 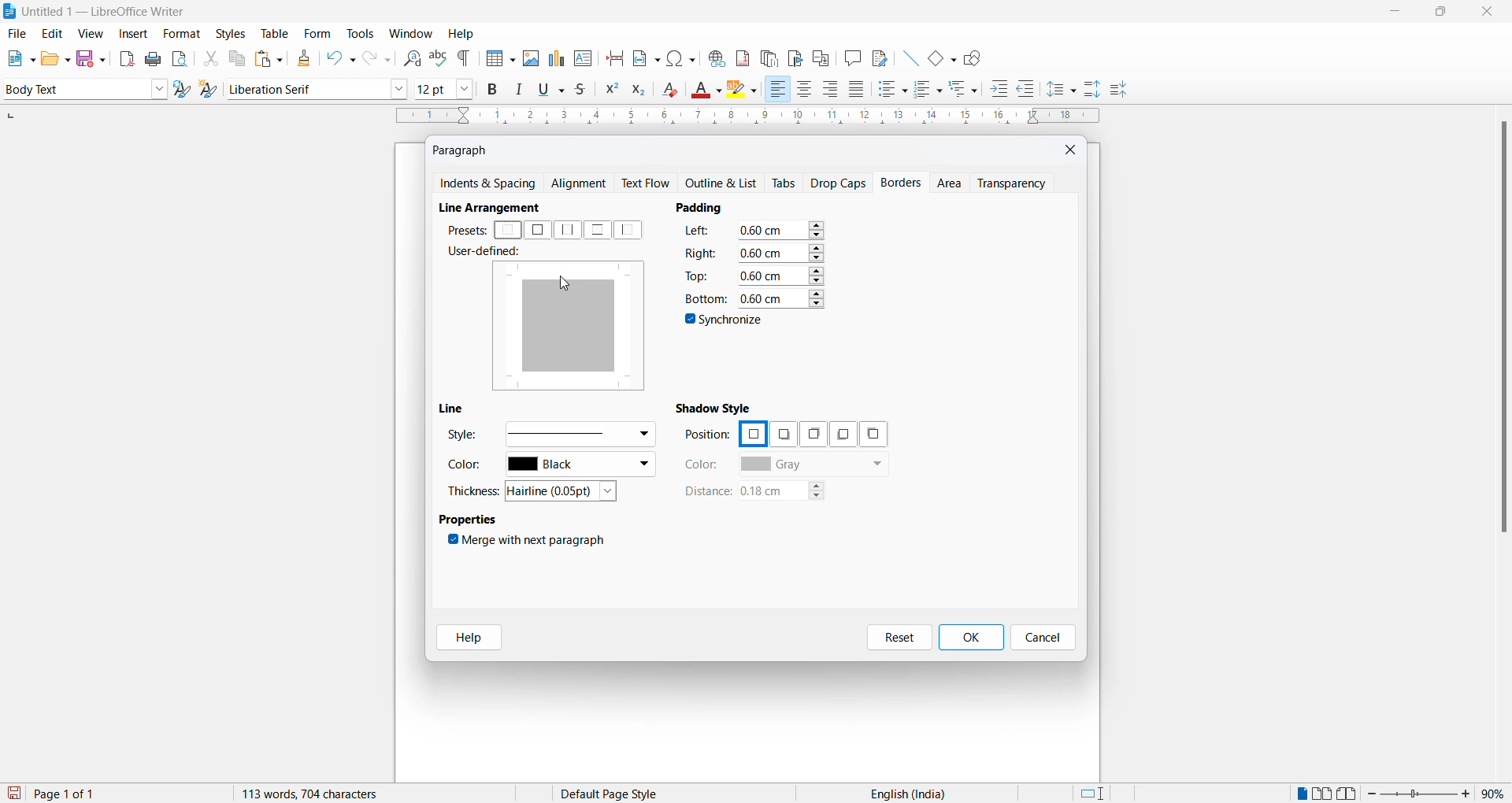 I want to click on increase indent, so click(x=1004, y=90).